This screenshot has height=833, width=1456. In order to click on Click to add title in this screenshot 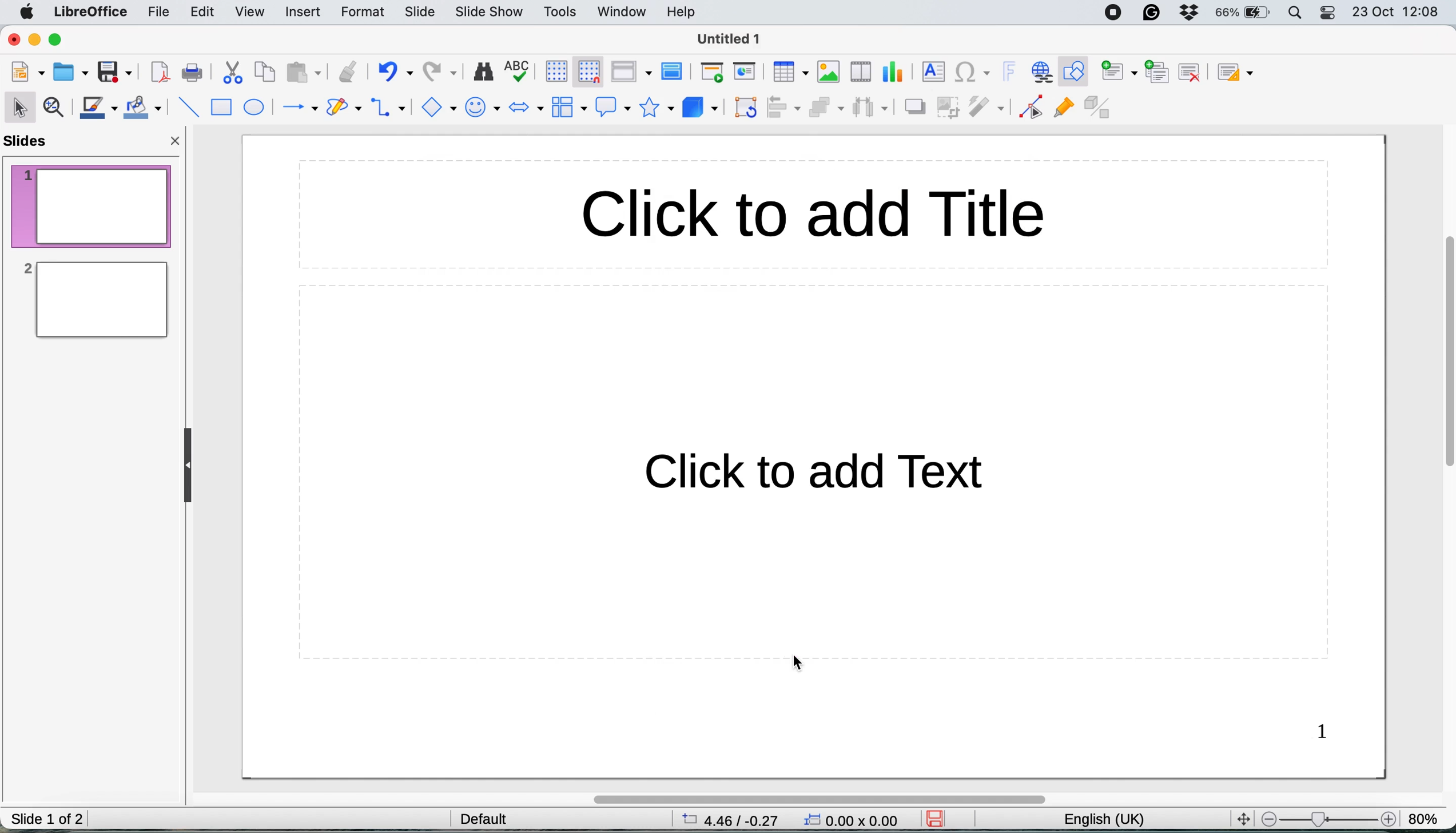, I will do `click(910, 213)`.